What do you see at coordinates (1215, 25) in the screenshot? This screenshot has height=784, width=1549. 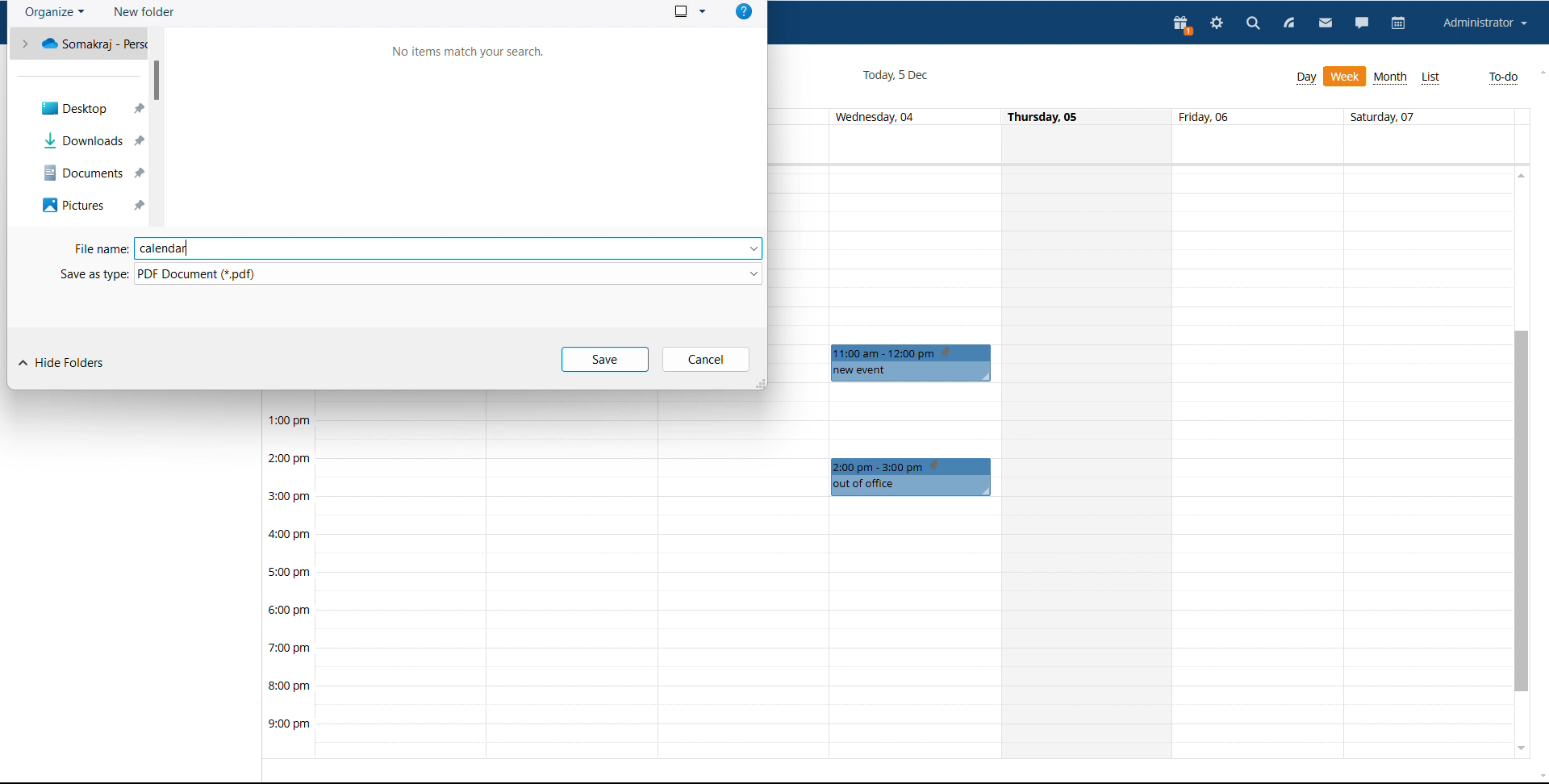 I see `settings` at bounding box center [1215, 25].